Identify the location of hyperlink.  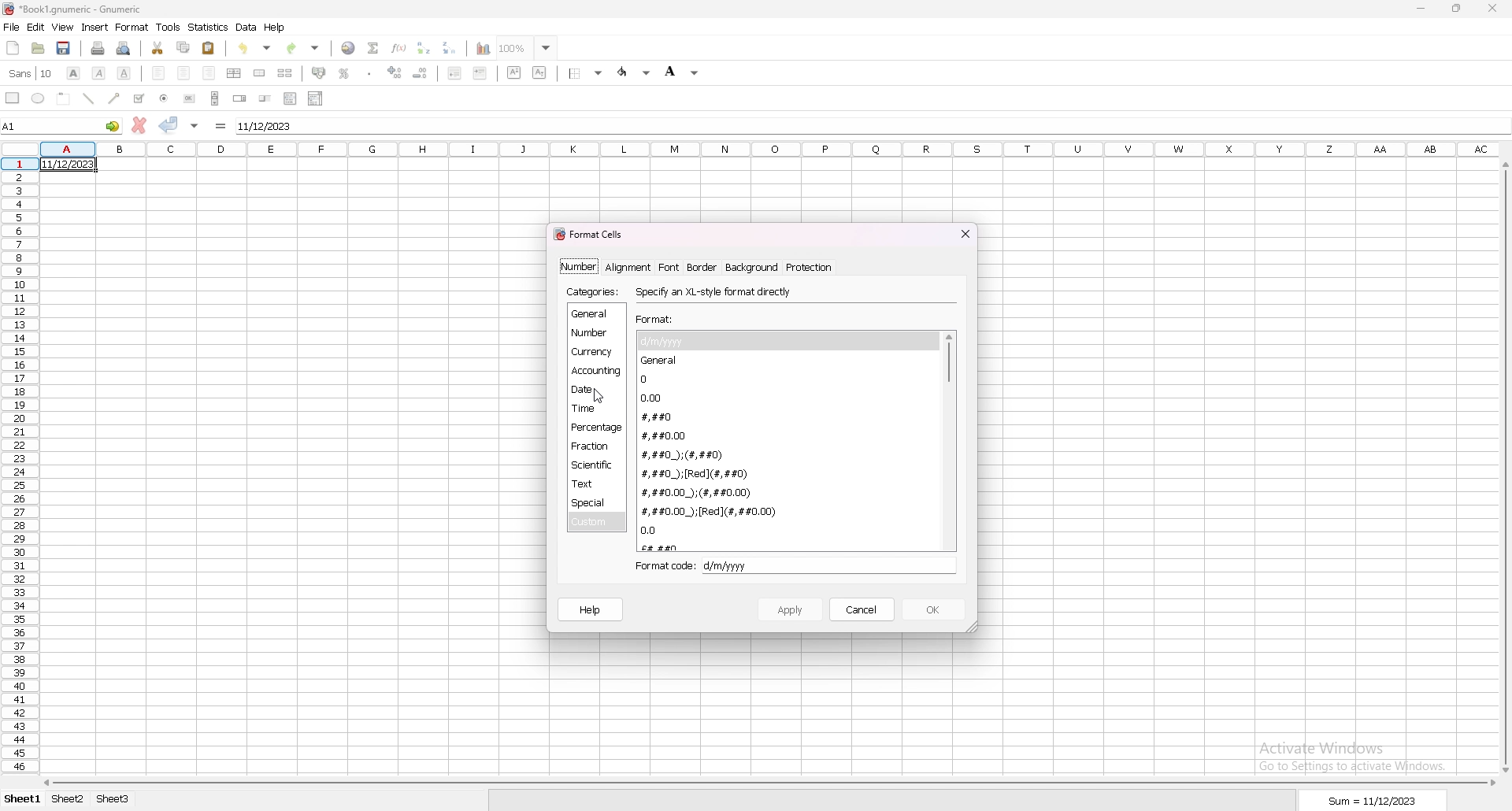
(349, 48).